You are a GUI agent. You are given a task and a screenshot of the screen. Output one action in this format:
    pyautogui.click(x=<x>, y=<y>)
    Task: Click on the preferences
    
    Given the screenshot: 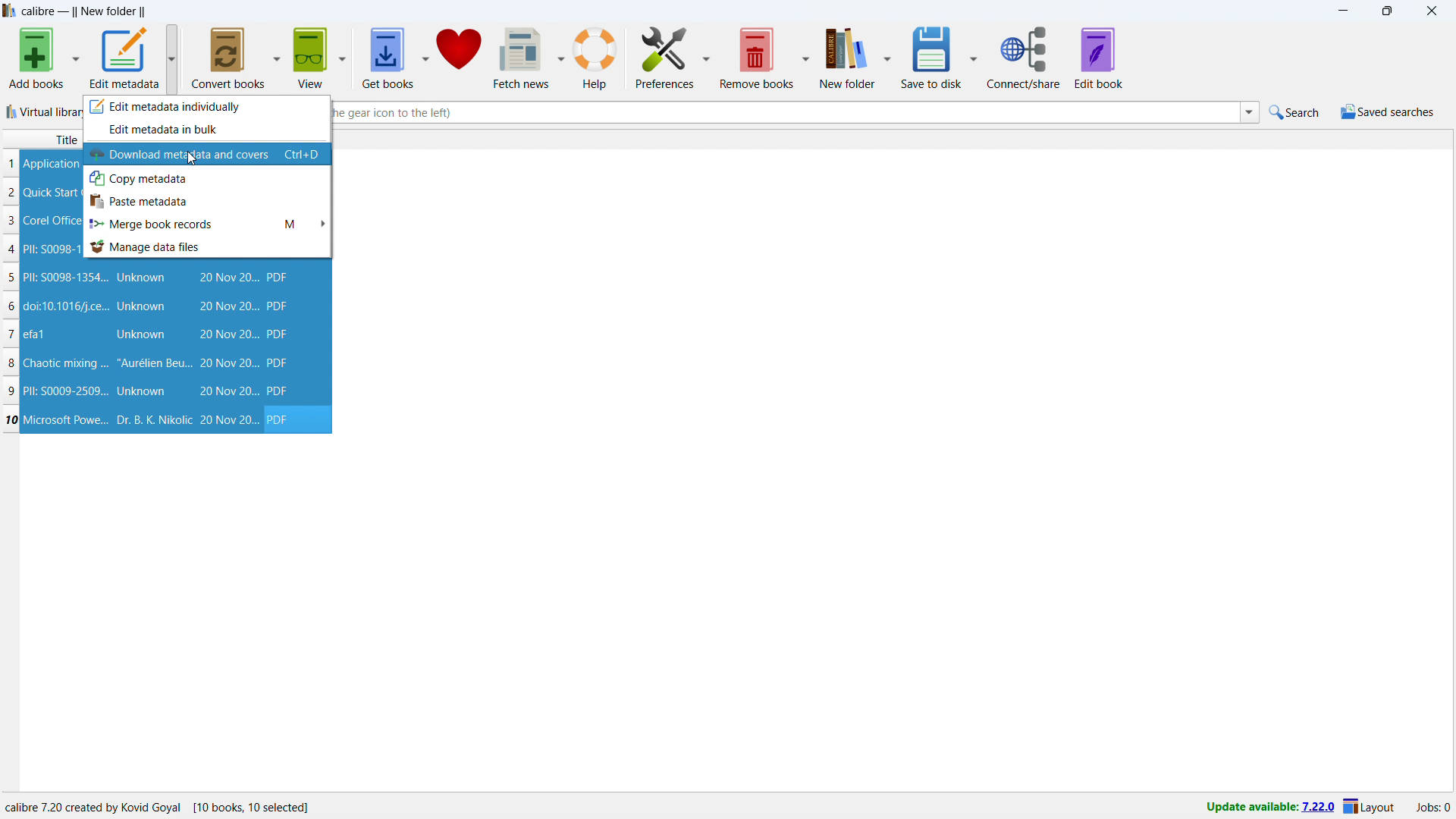 What is the action you would take?
    pyautogui.click(x=664, y=57)
    